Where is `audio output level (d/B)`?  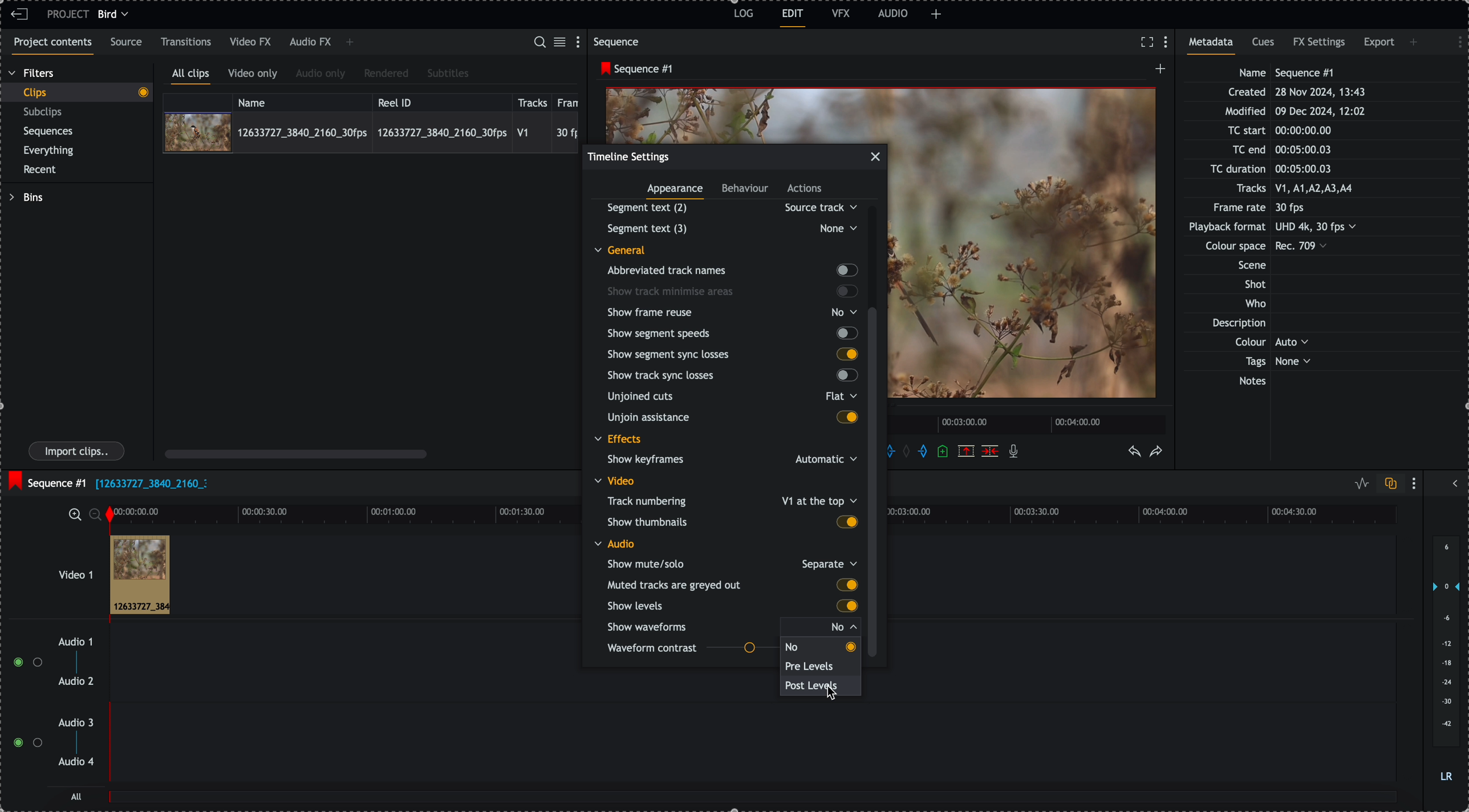 audio output level (d/B) is located at coordinates (1445, 660).